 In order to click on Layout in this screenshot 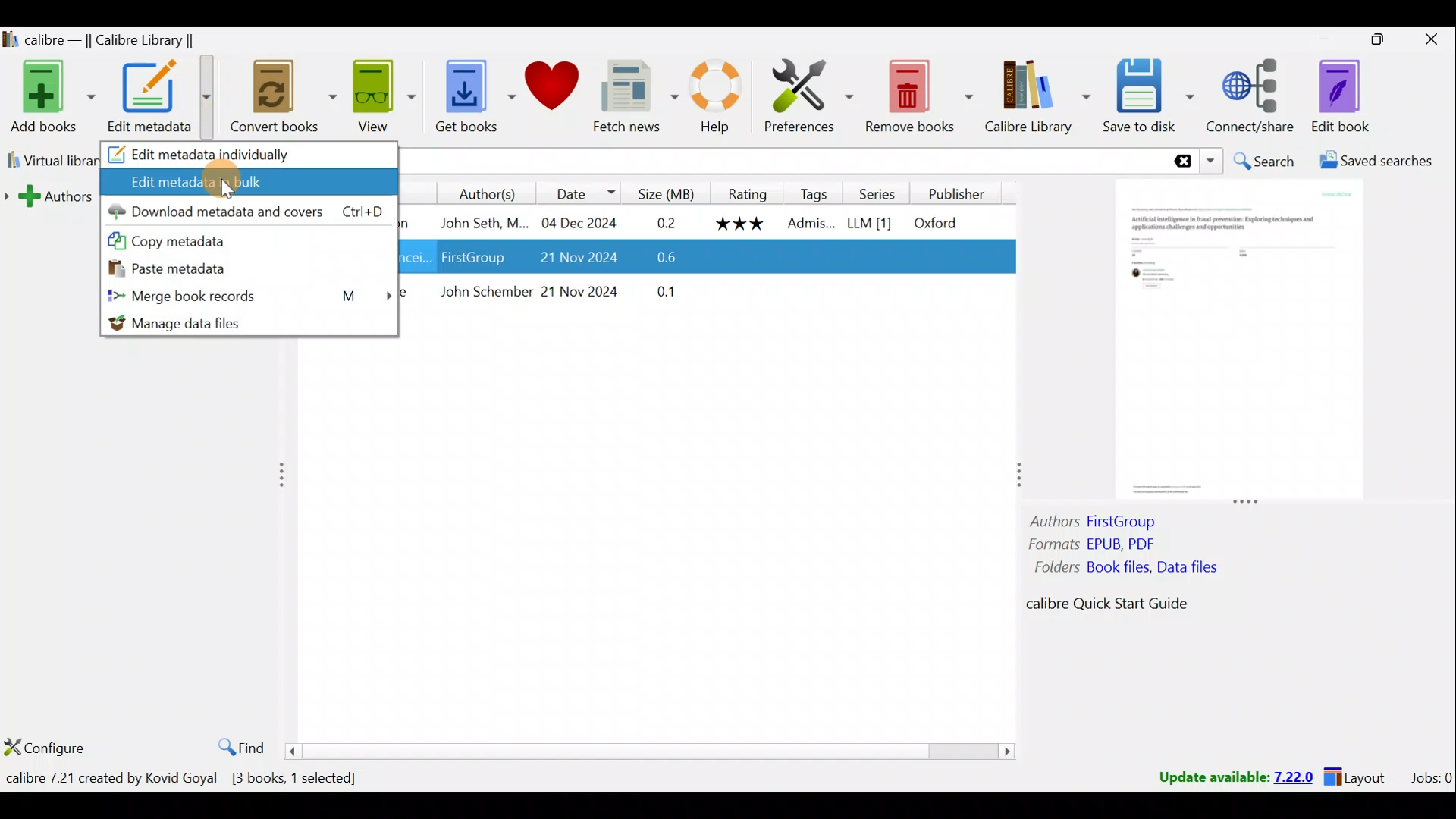, I will do `click(1358, 775)`.